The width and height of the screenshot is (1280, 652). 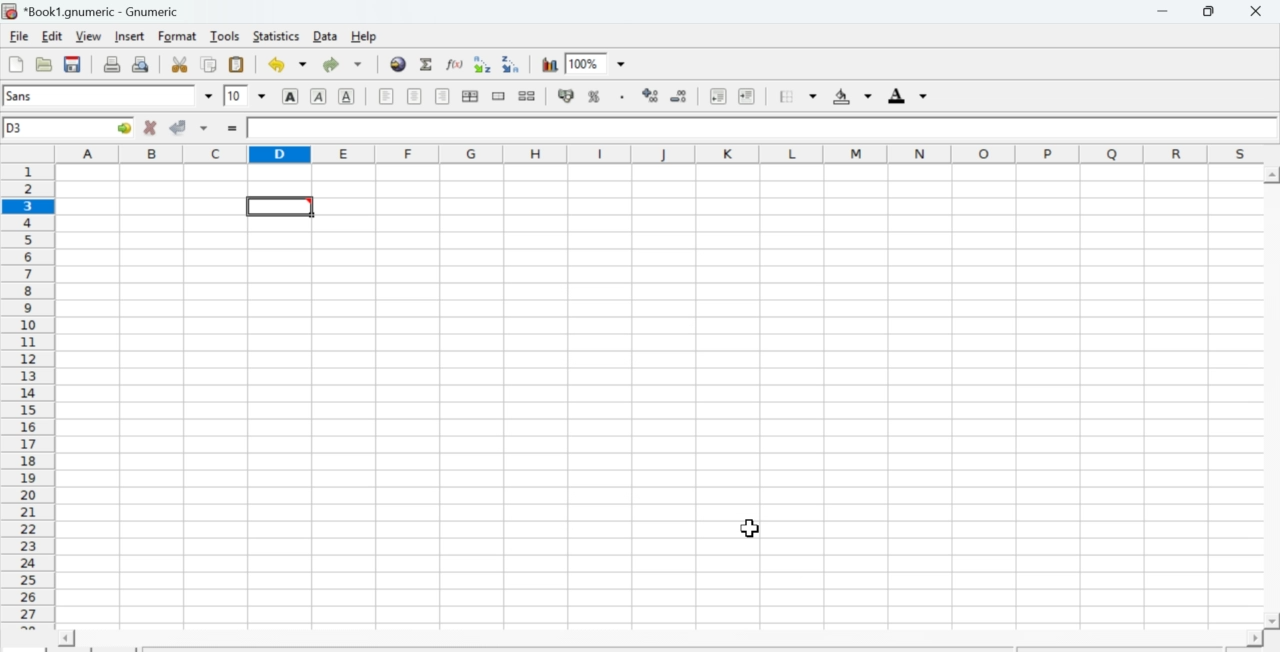 I want to click on Cut, so click(x=180, y=64).